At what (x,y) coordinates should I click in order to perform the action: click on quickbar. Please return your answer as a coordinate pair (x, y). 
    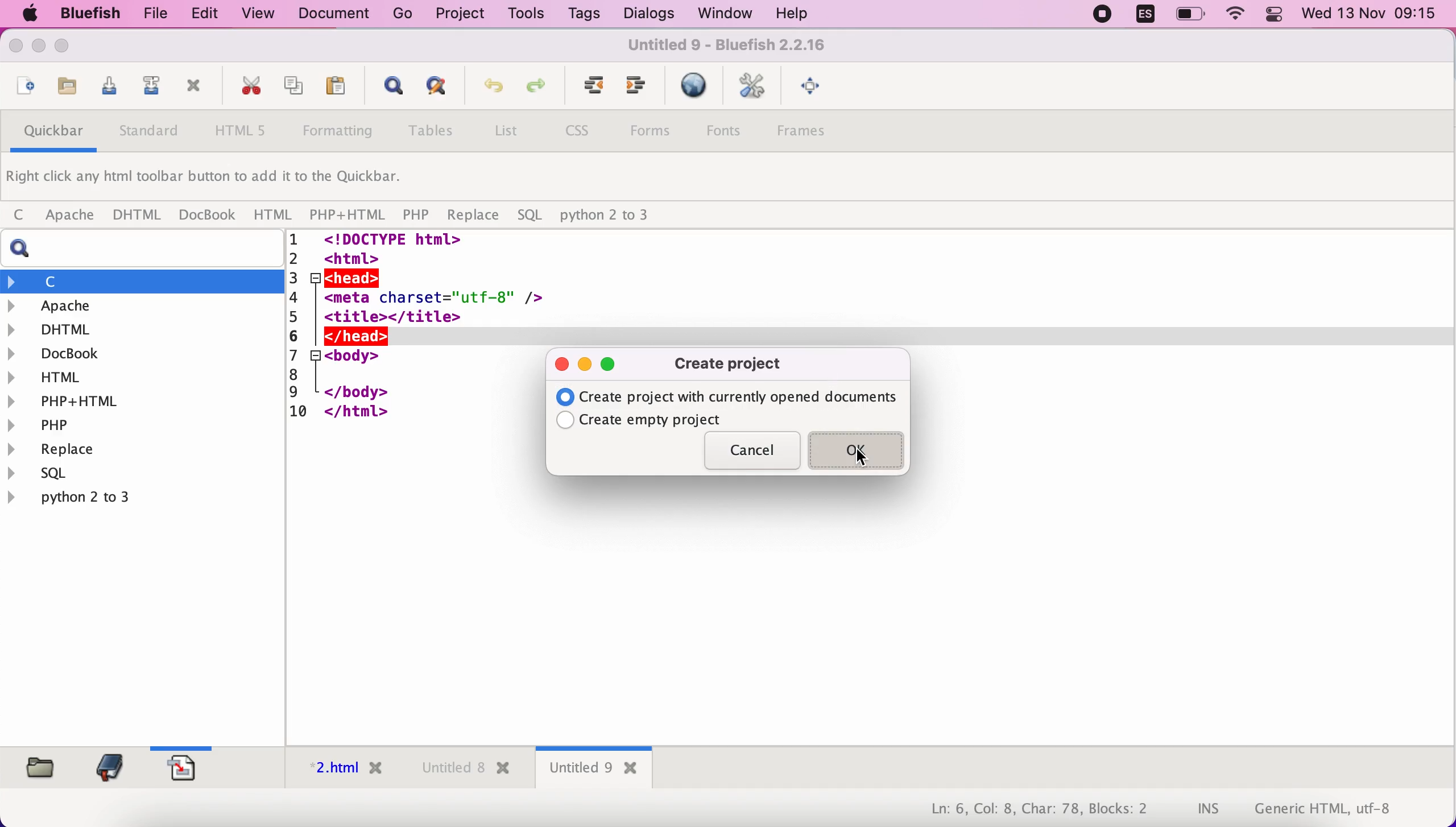
    Looking at the image, I should click on (50, 134).